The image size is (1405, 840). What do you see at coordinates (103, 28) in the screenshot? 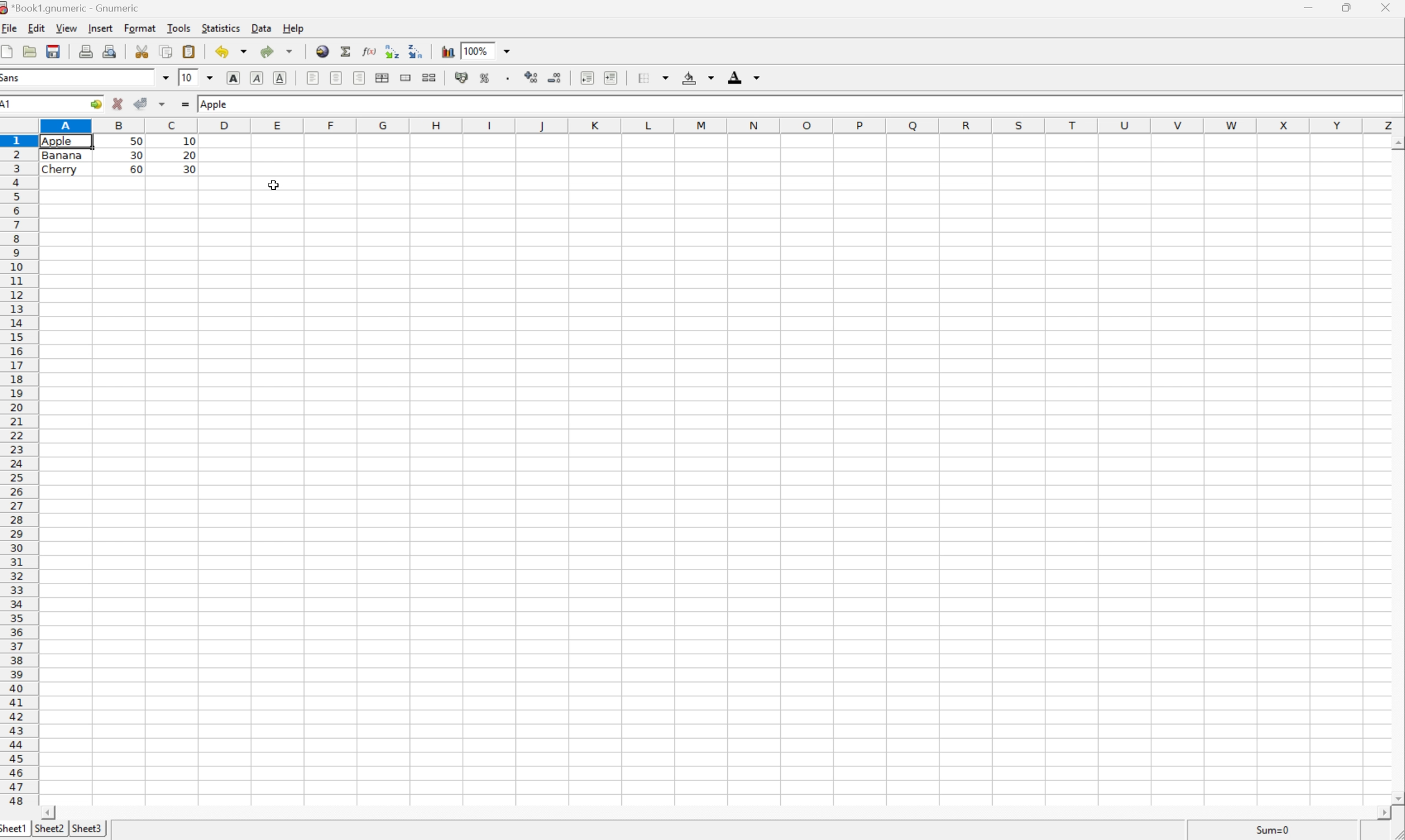
I see `insert` at bounding box center [103, 28].